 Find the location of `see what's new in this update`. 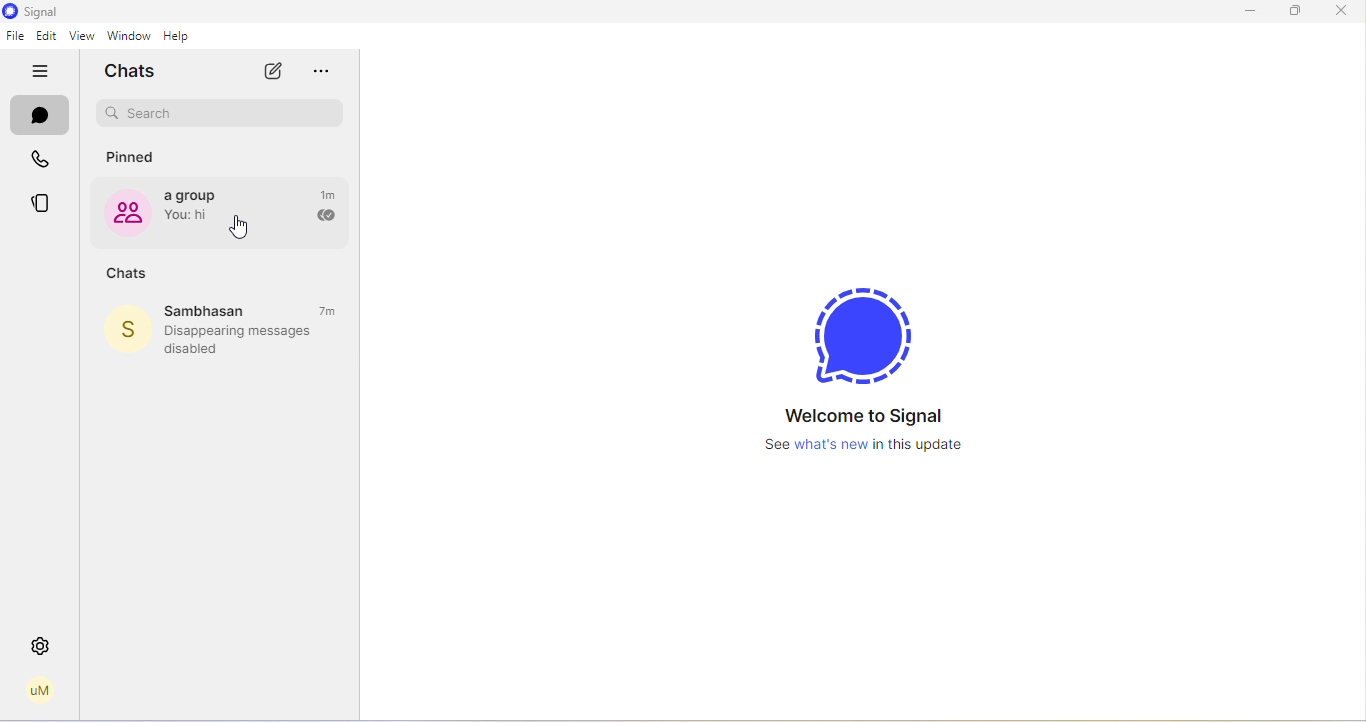

see what's new in this update is located at coordinates (872, 445).